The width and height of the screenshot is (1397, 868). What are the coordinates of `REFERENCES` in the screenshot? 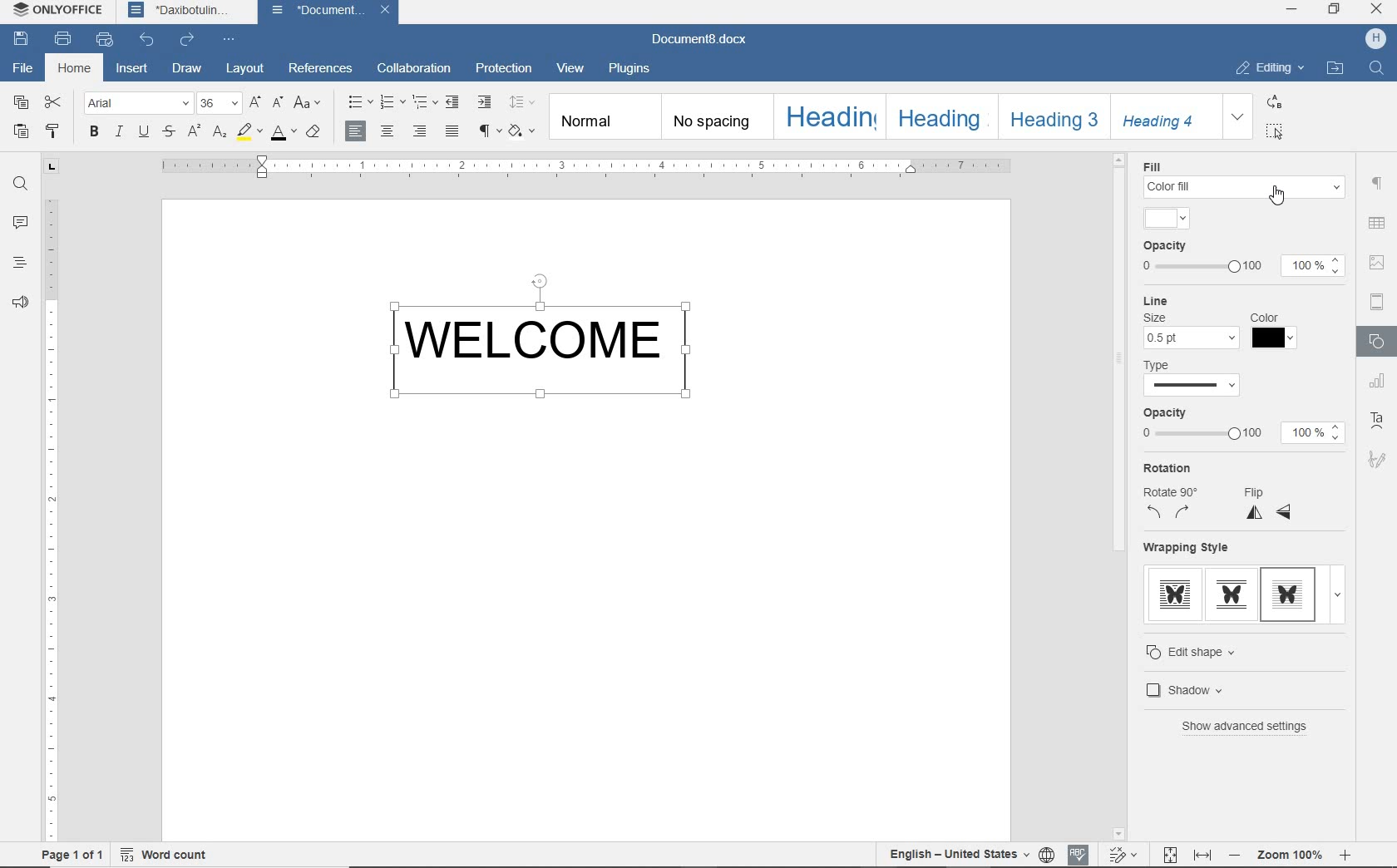 It's located at (321, 67).